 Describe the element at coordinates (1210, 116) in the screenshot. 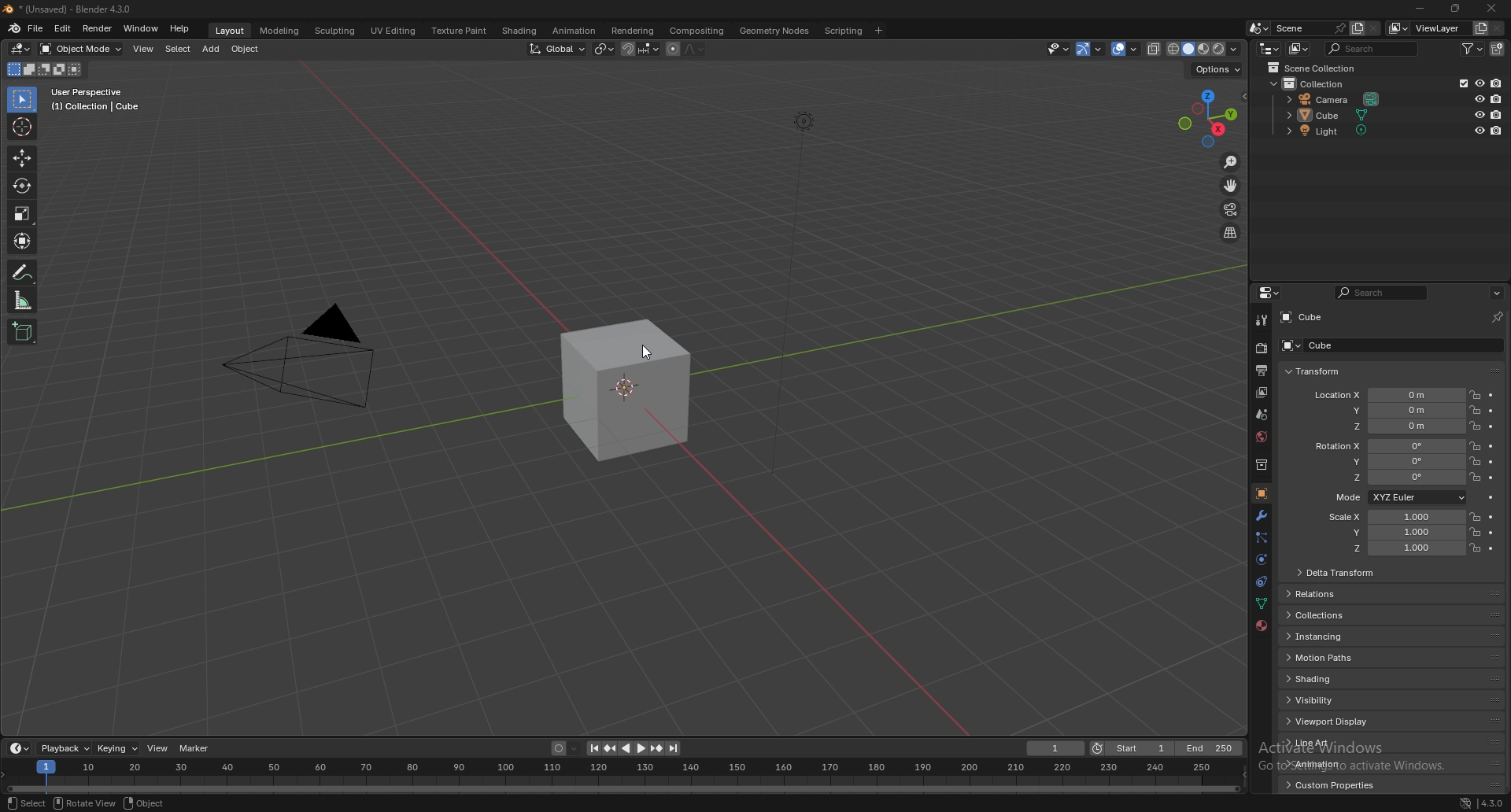

I see `use a preset viewpoint` at that location.